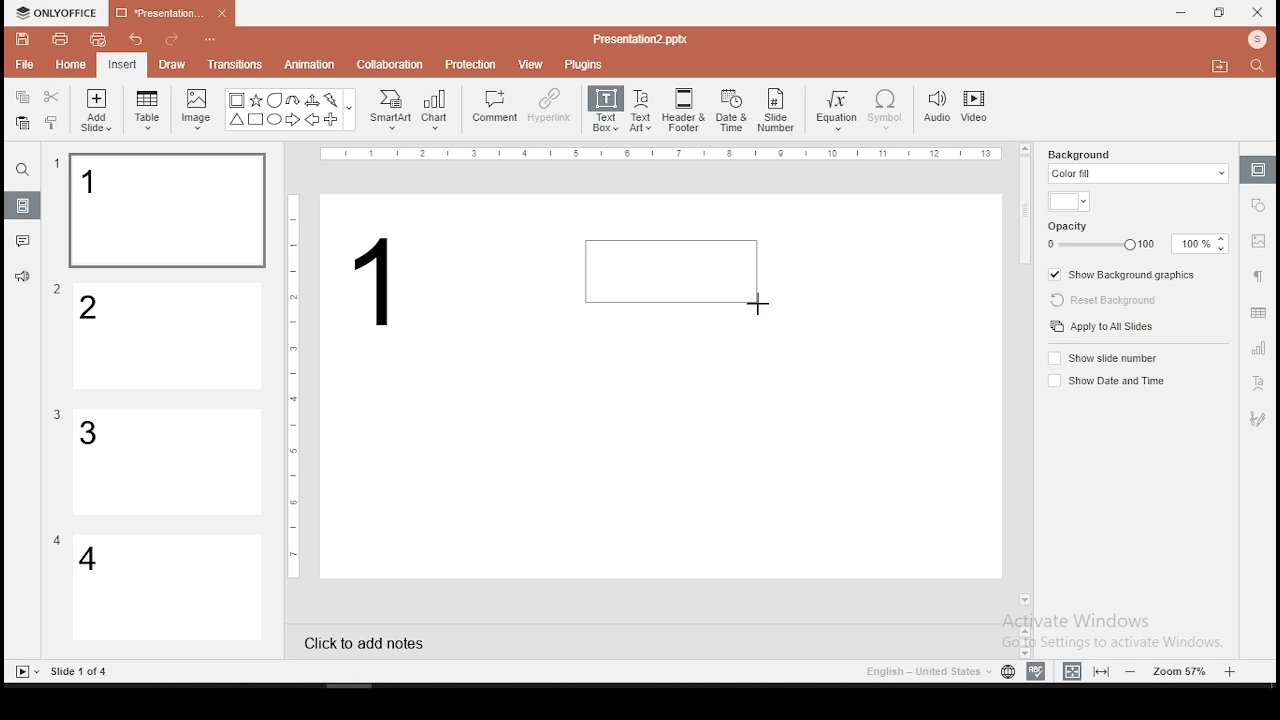 The width and height of the screenshot is (1280, 720). Describe the element at coordinates (1257, 384) in the screenshot. I see `text art tool` at that location.